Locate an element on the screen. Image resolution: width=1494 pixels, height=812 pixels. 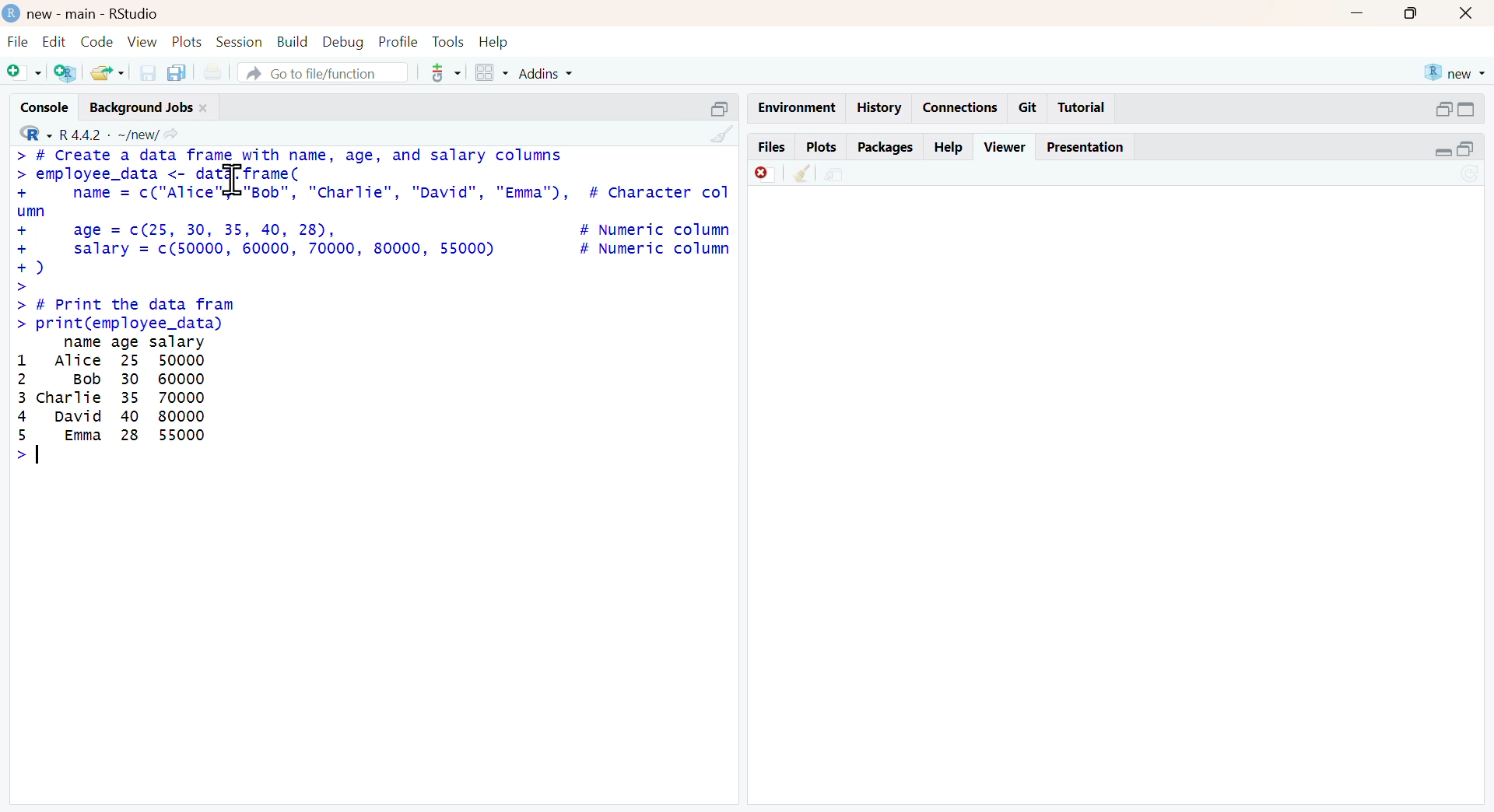
View is located at coordinates (139, 42).